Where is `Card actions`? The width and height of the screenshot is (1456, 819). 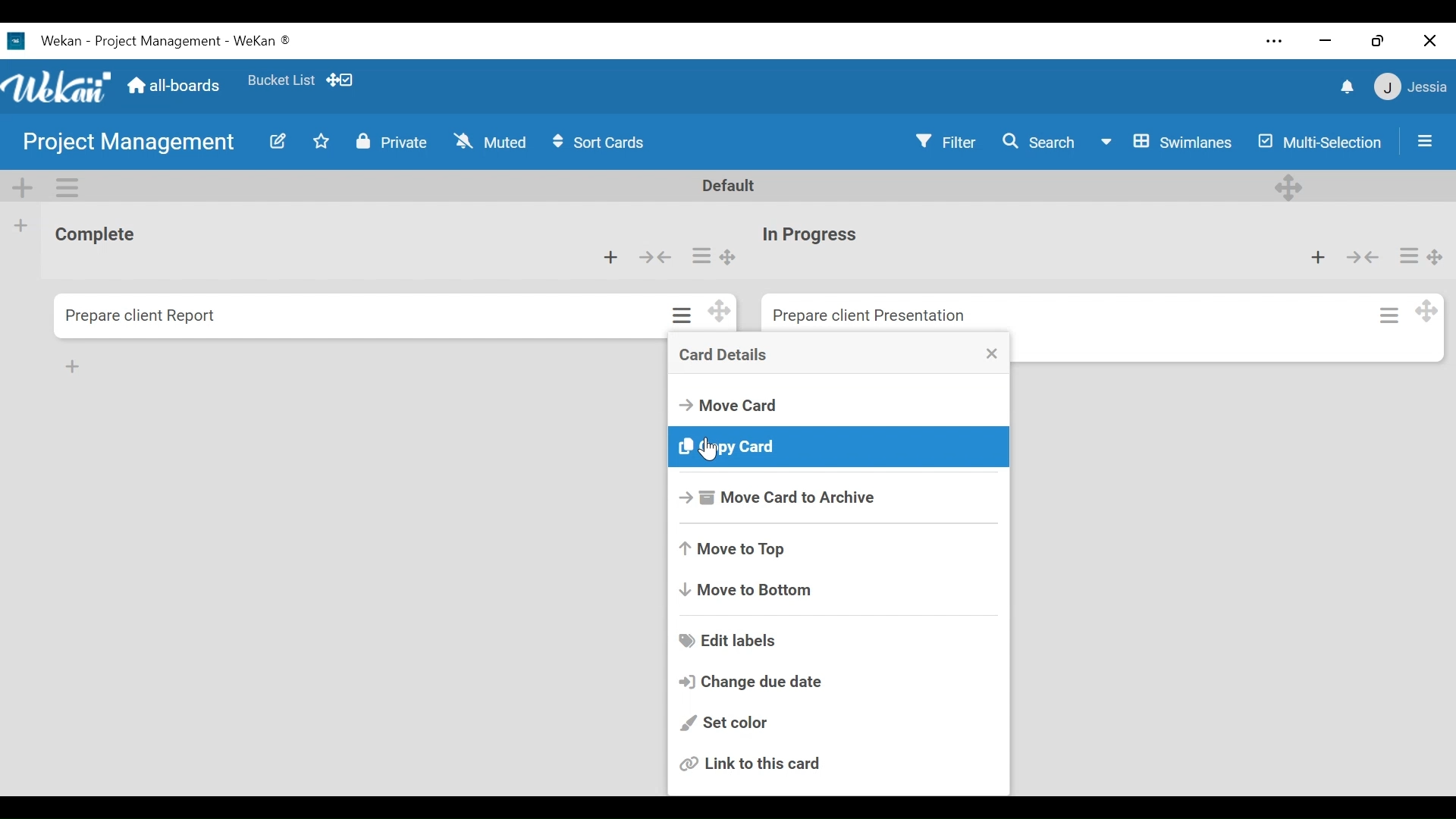 Card actions is located at coordinates (702, 256).